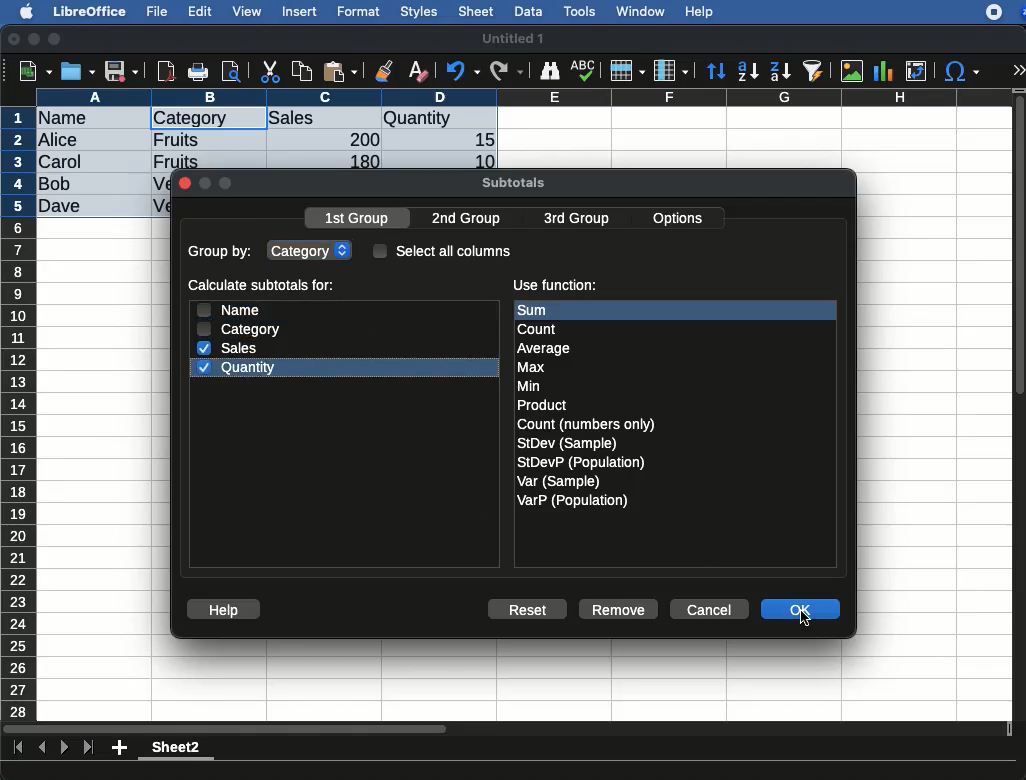 The image size is (1026, 780). What do you see at coordinates (227, 309) in the screenshot?
I see `name` at bounding box center [227, 309].